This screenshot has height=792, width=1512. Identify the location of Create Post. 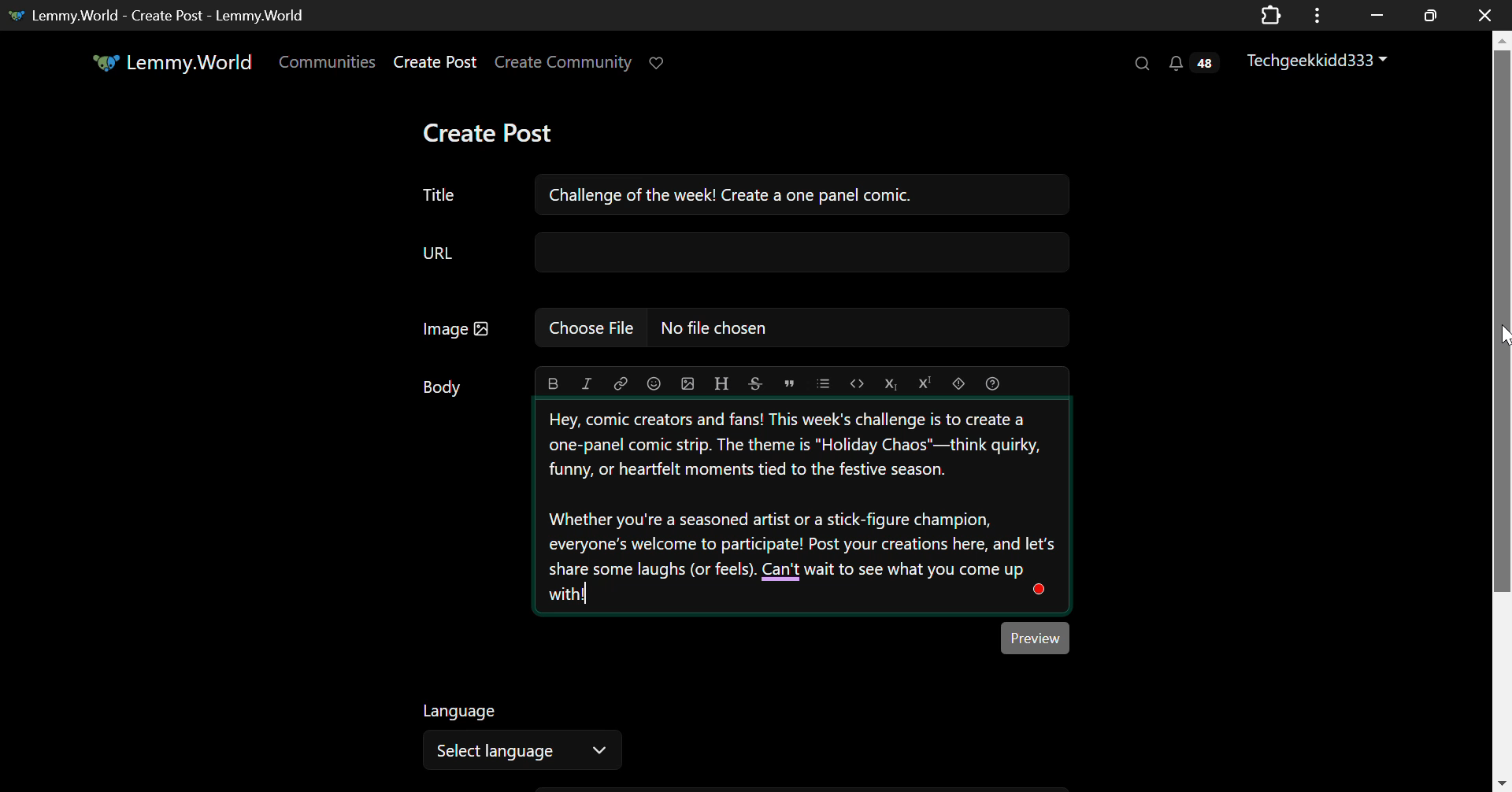
(495, 132).